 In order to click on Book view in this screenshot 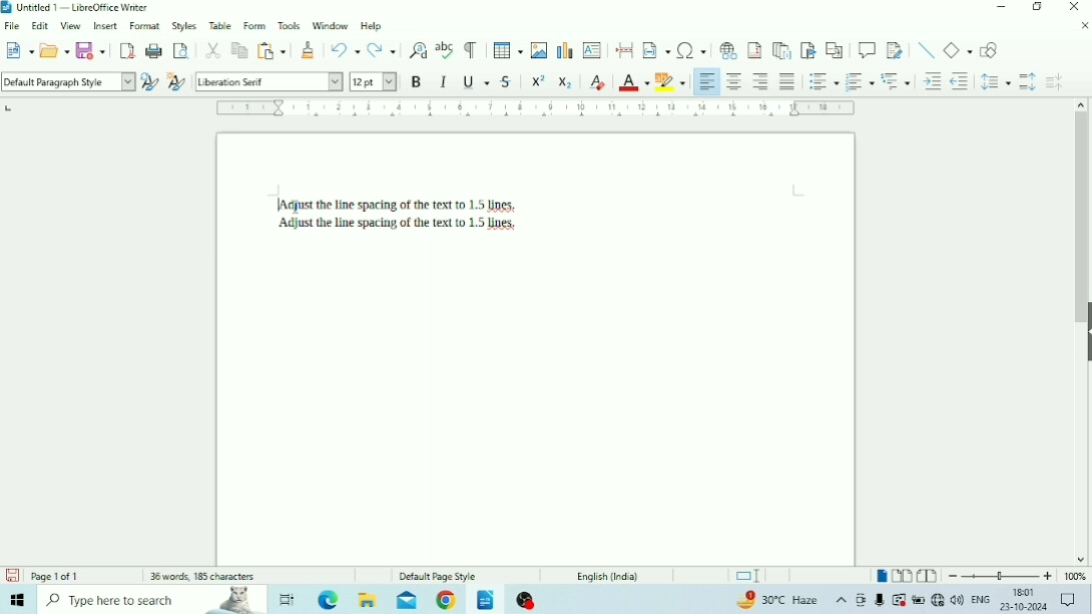, I will do `click(926, 575)`.